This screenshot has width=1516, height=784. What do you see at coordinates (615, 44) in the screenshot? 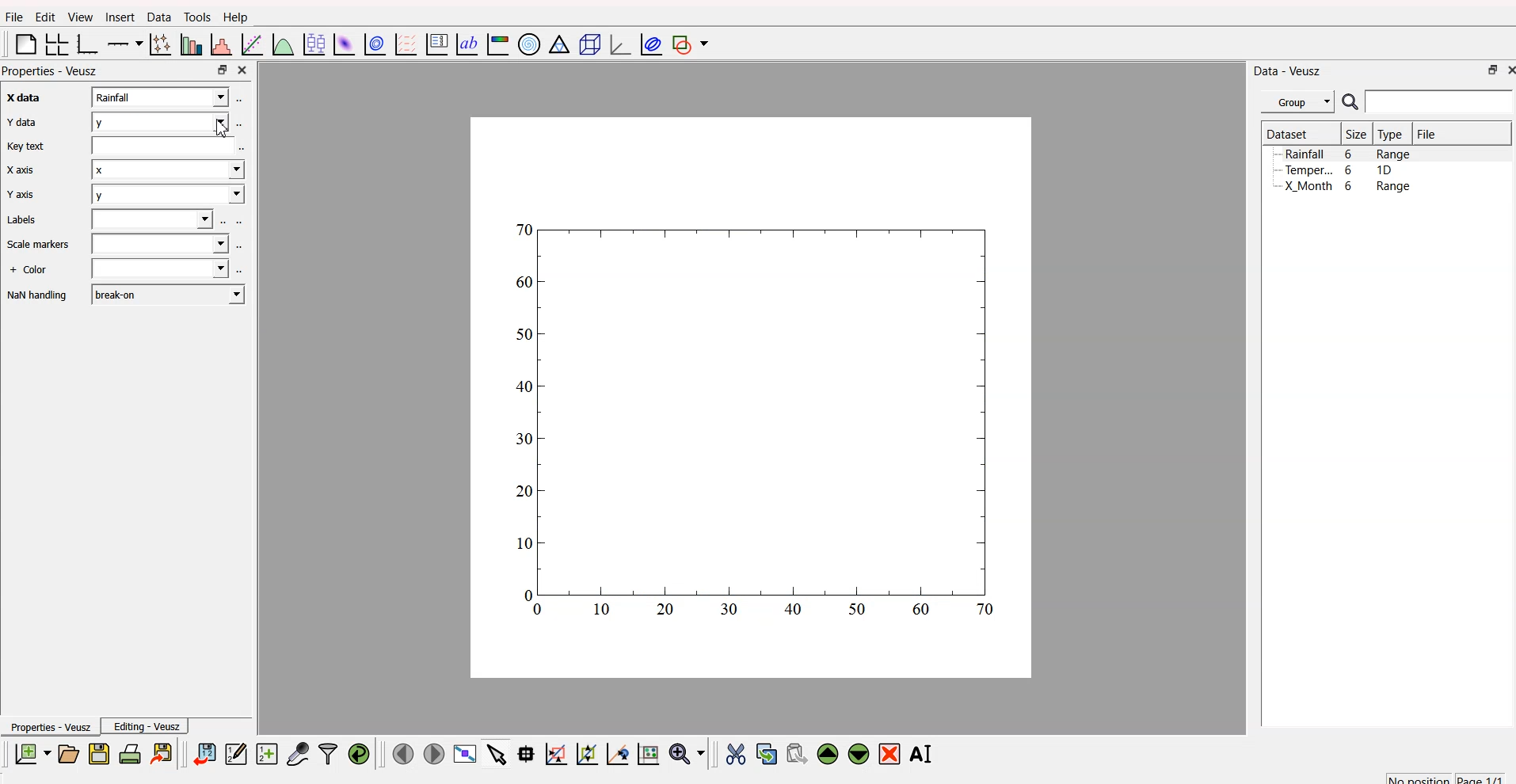
I see `3D graph` at bounding box center [615, 44].